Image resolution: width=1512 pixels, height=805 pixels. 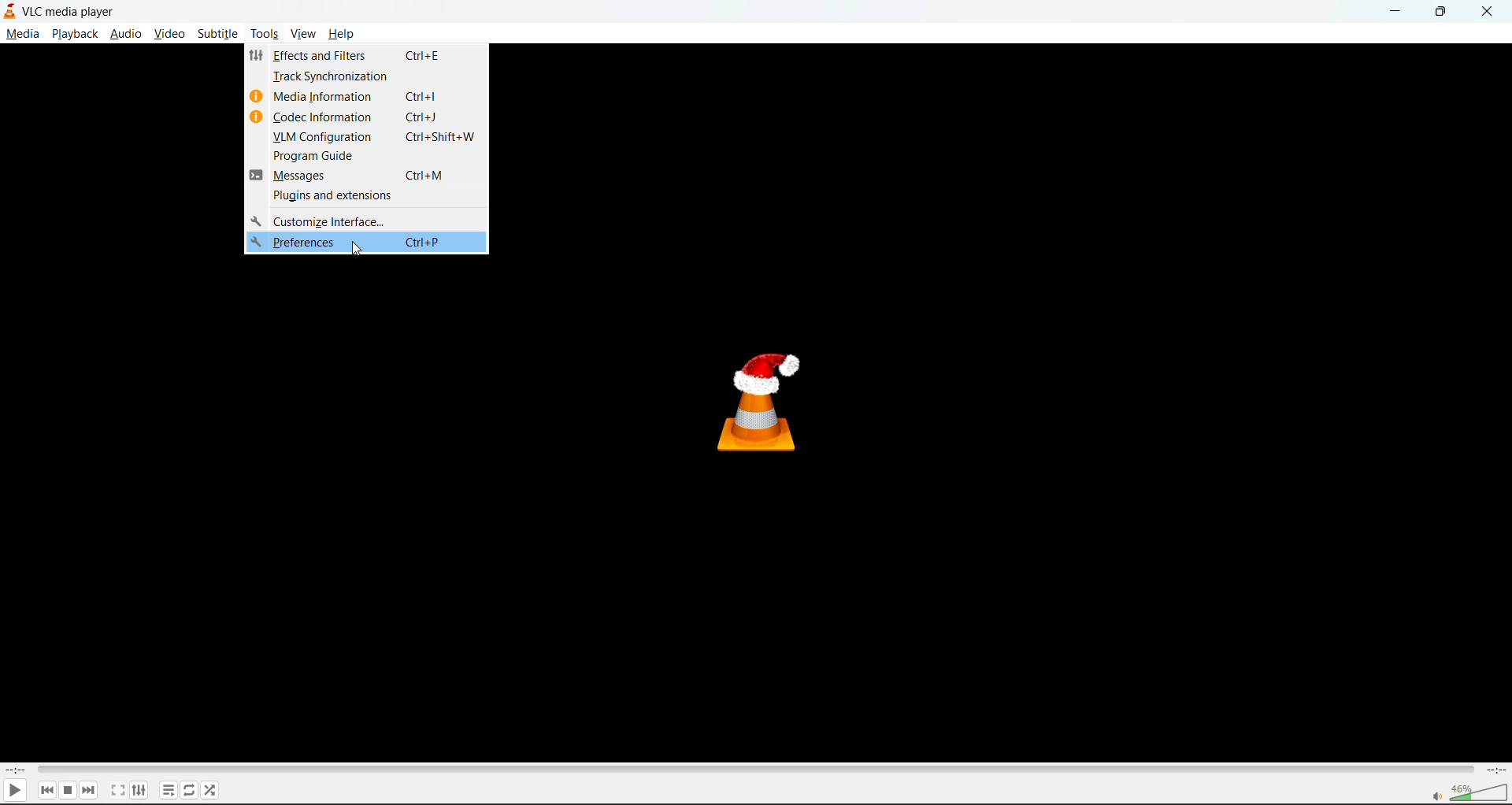 What do you see at coordinates (358, 250) in the screenshot?
I see `cursor` at bounding box center [358, 250].